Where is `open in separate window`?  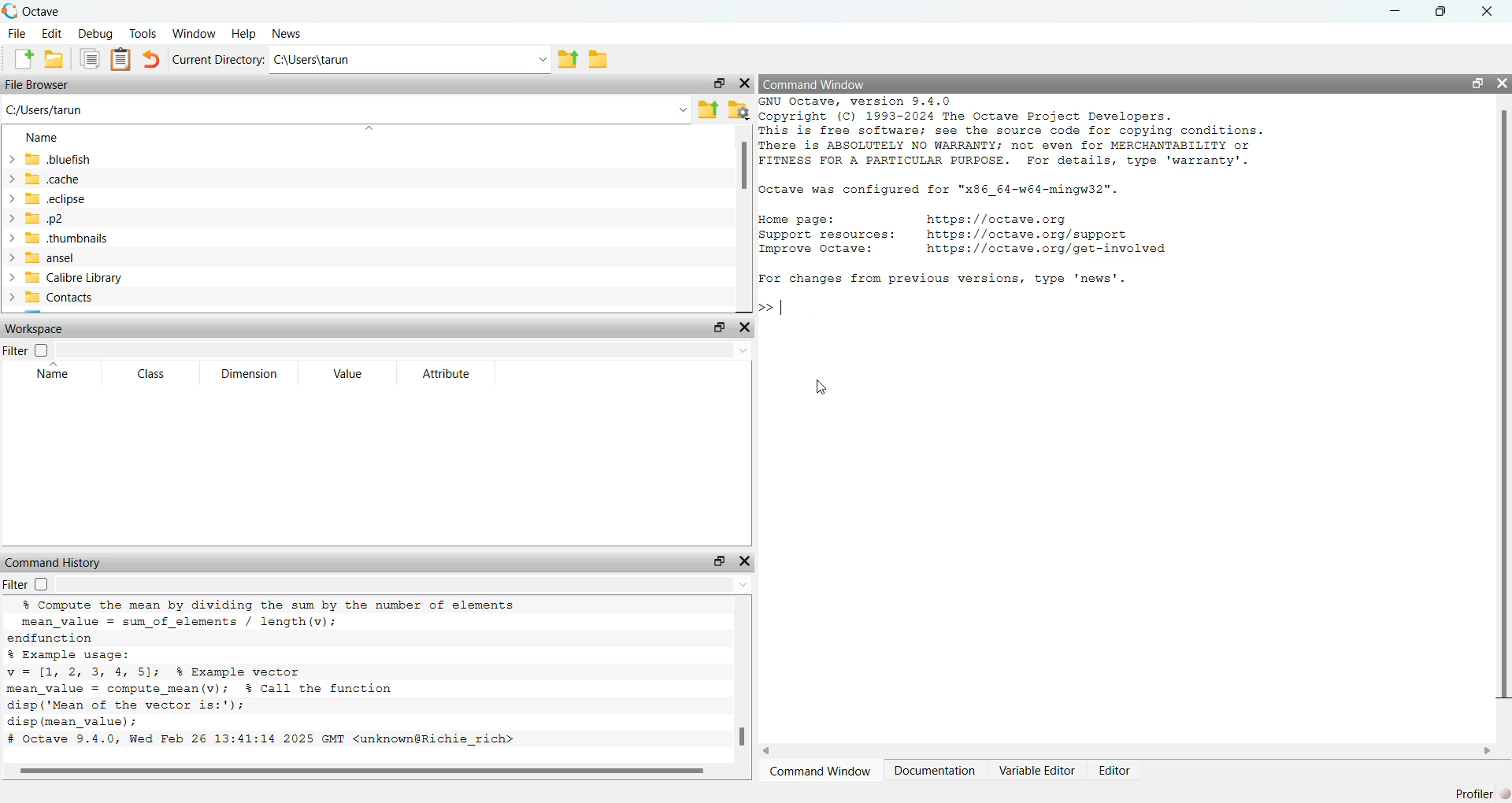
open in separate window is located at coordinates (720, 83).